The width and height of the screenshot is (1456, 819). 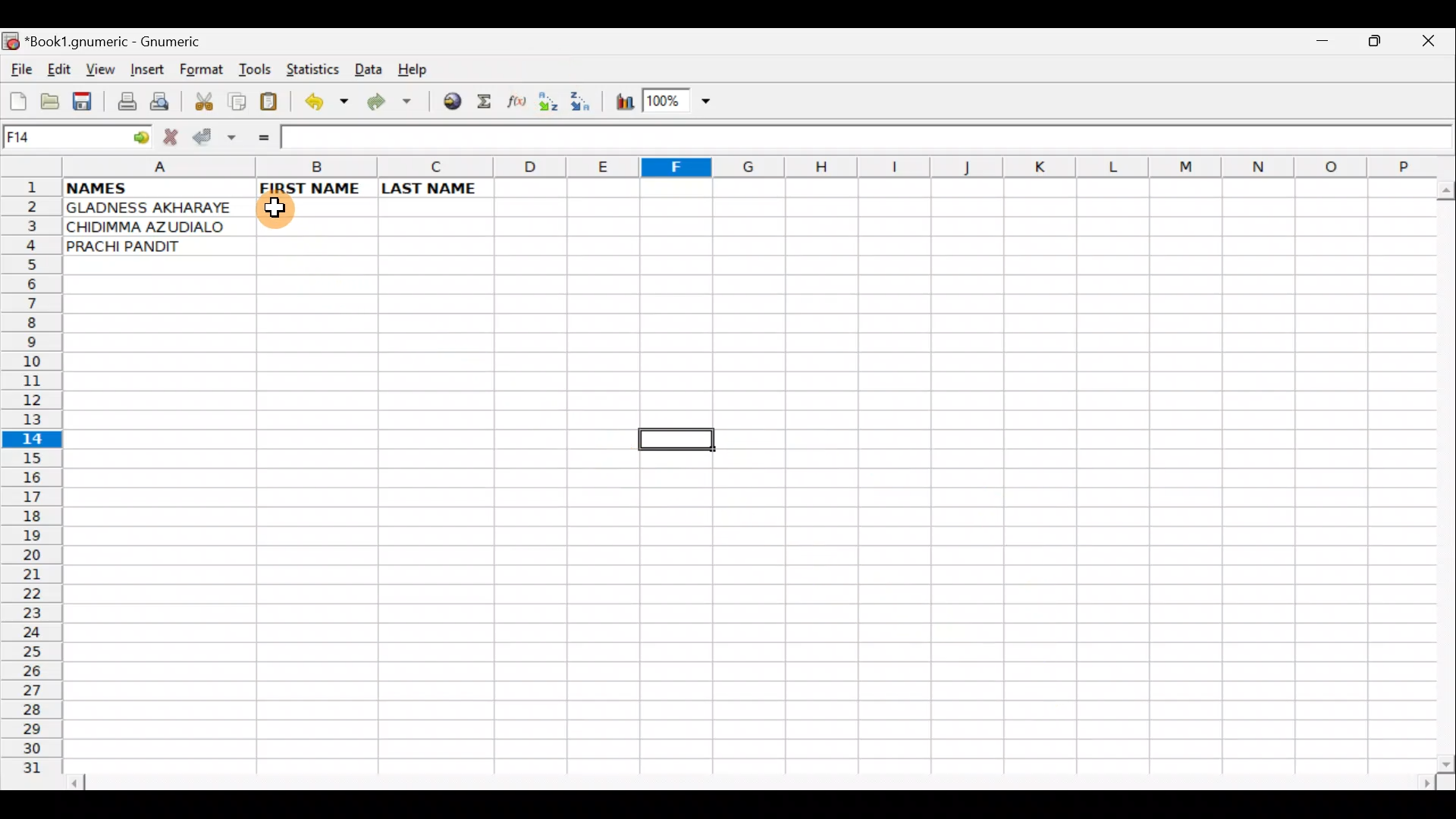 What do you see at coordinates (58, 68) in the screenshot?
I see `Edit` at bounding box center [58, 68].